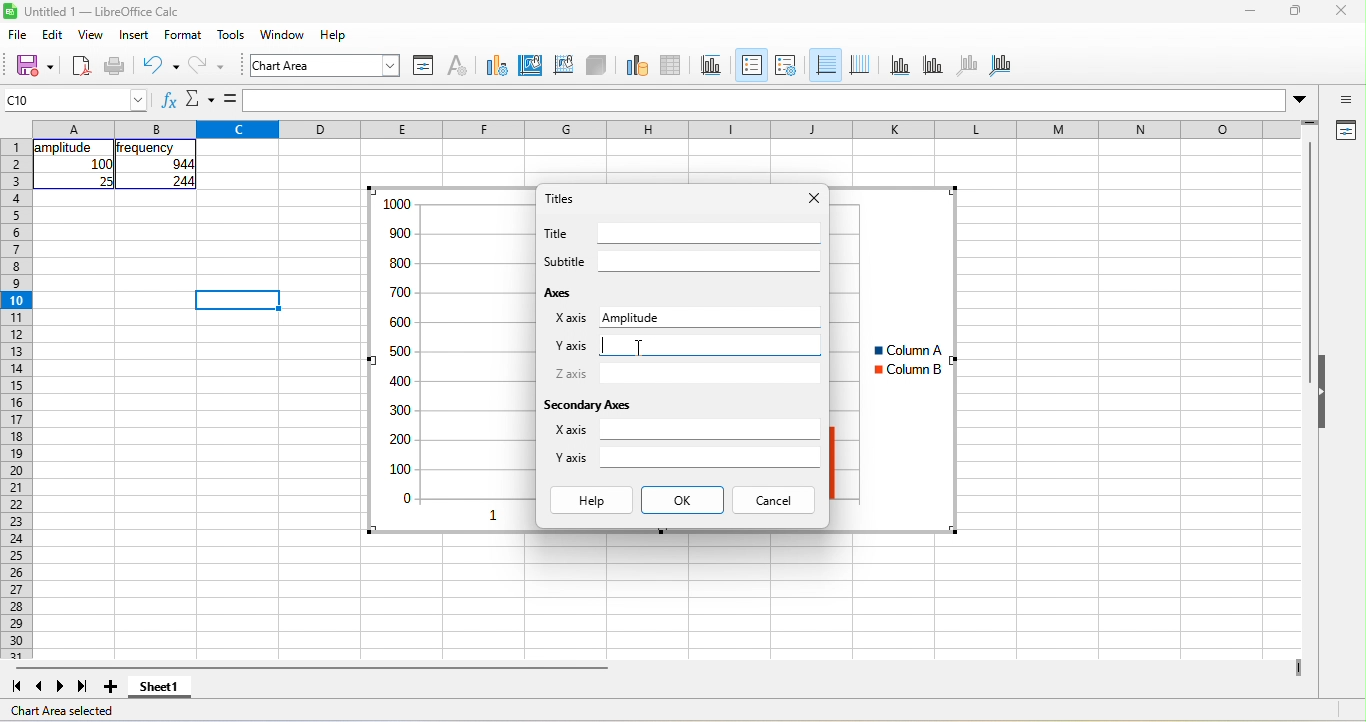 The width and height of the screenshot is (1366, 722). Describe the element at coordinates (101, 164) in the screenshot. I see `100` at that location.